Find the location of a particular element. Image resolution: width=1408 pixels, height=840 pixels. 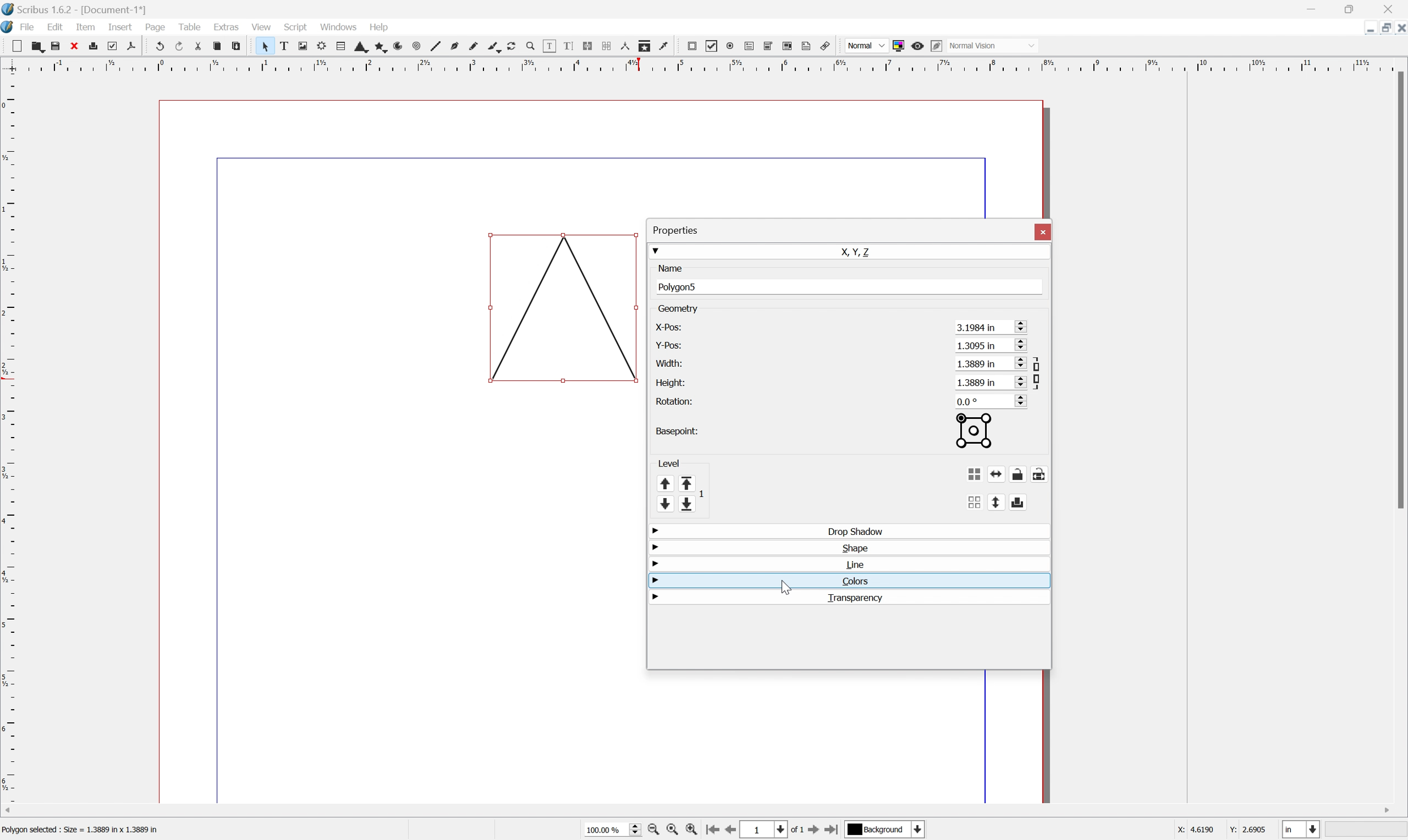

Width: is located at coordinates (668, 362).